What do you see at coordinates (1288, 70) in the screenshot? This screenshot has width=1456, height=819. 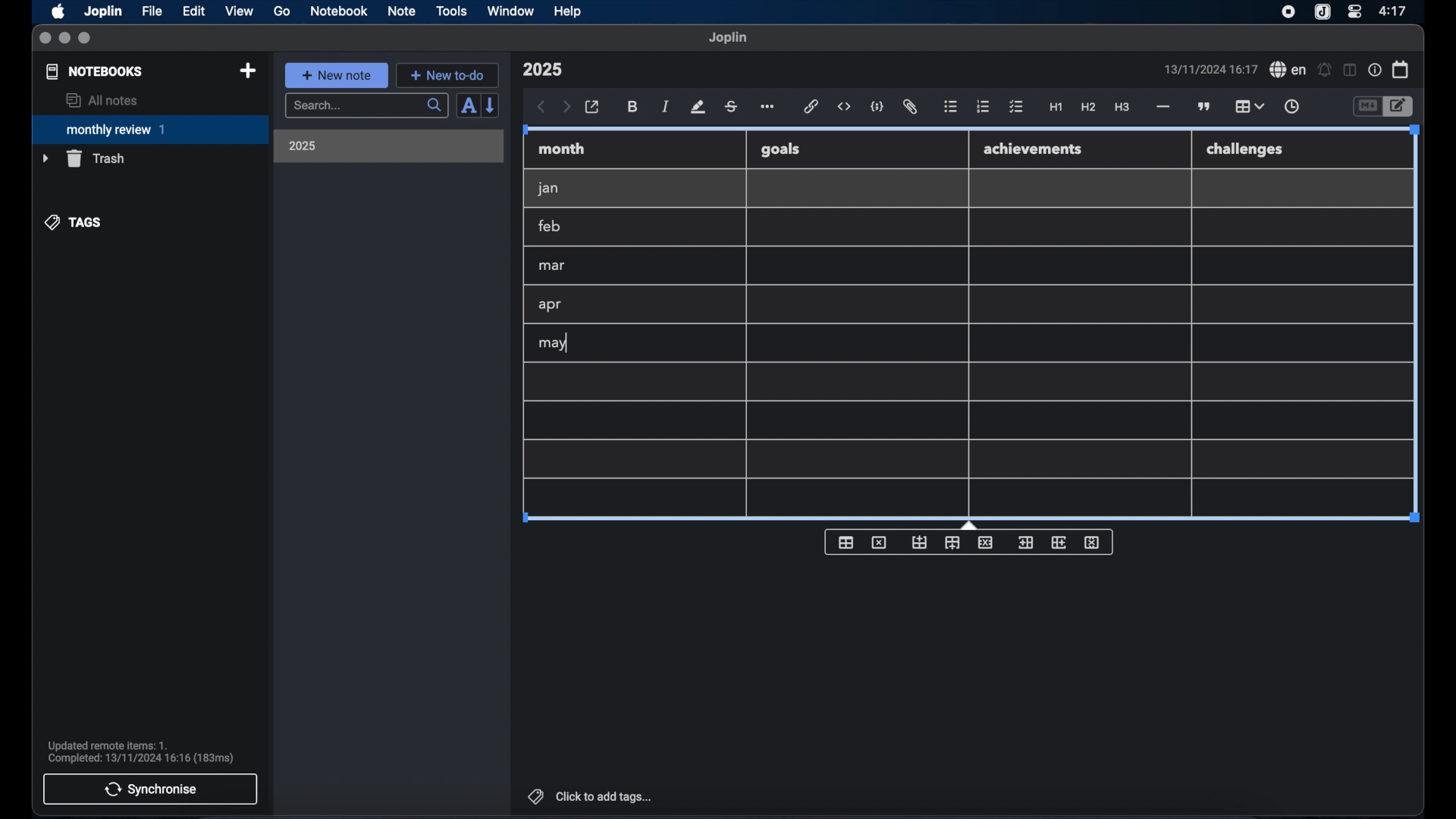 I see `spel check` at bounding box center [1288, 70].